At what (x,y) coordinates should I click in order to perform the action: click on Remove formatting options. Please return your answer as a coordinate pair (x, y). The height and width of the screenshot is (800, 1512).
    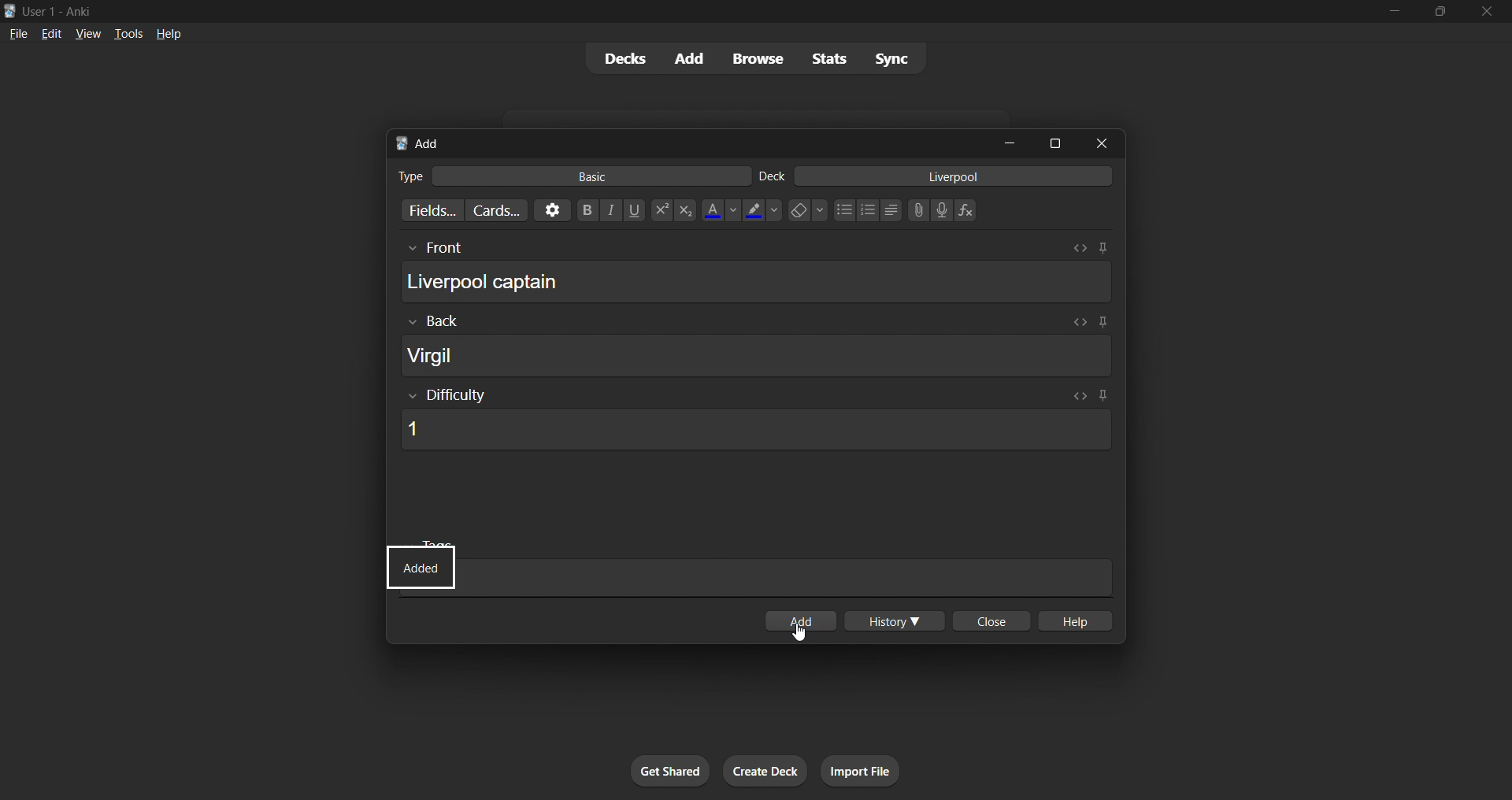
    Looking at the image, I should click on (809, 210).